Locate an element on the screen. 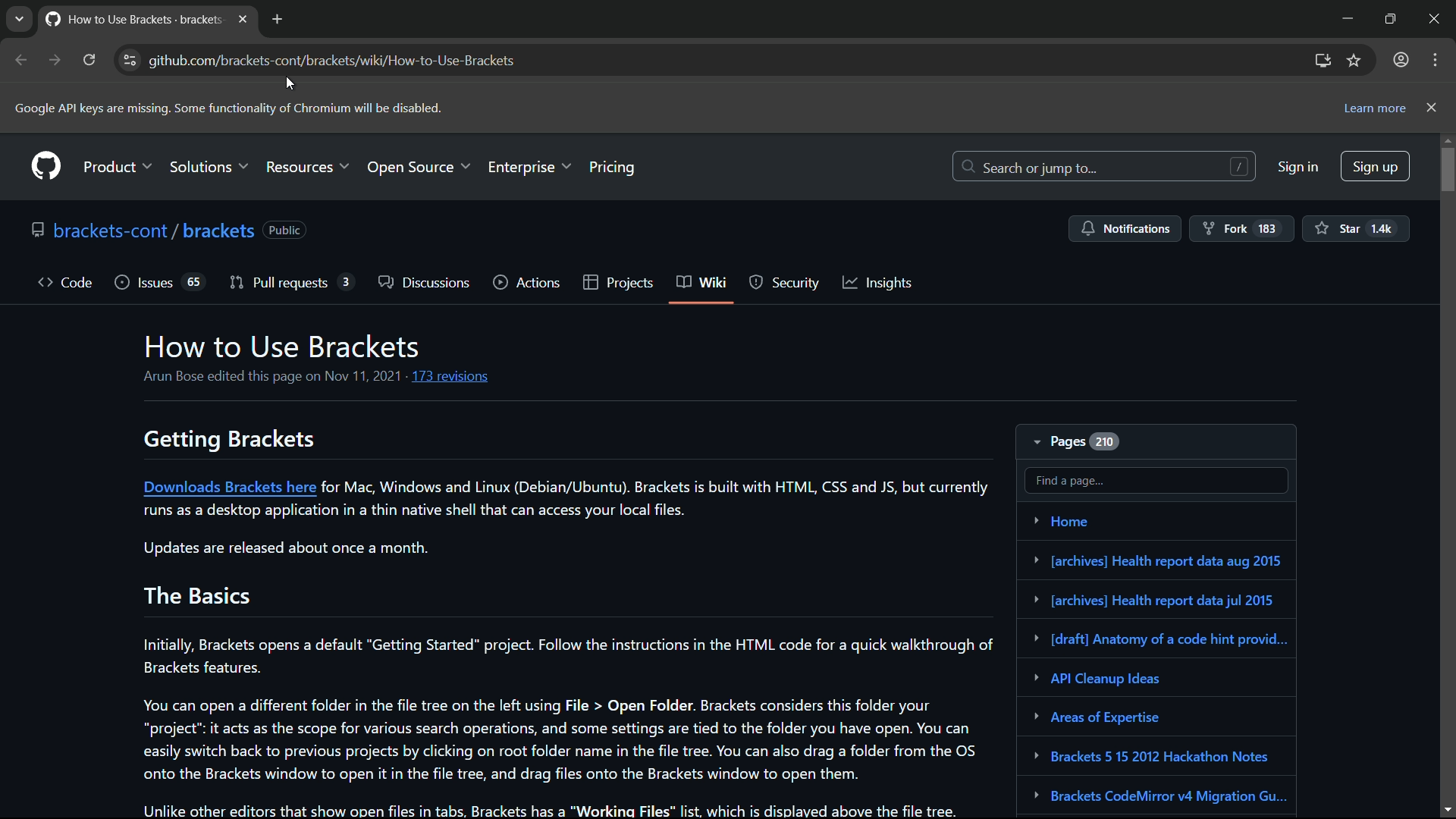 The height and width of the screenshot is (819, 1456). sign up is located at coordinates (1373, 167).